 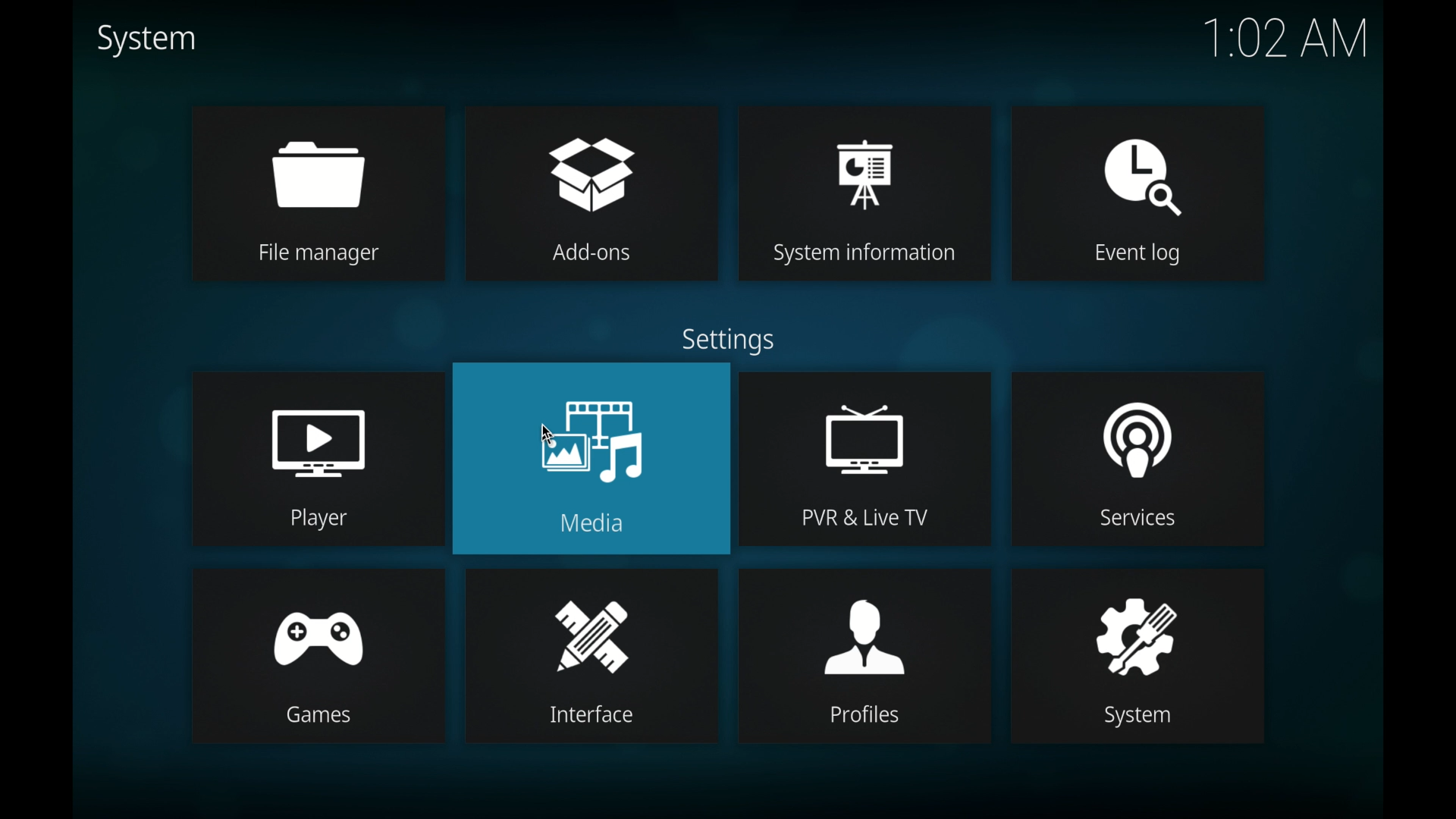 I want to click on add-ons, so click(x=593, y=162).